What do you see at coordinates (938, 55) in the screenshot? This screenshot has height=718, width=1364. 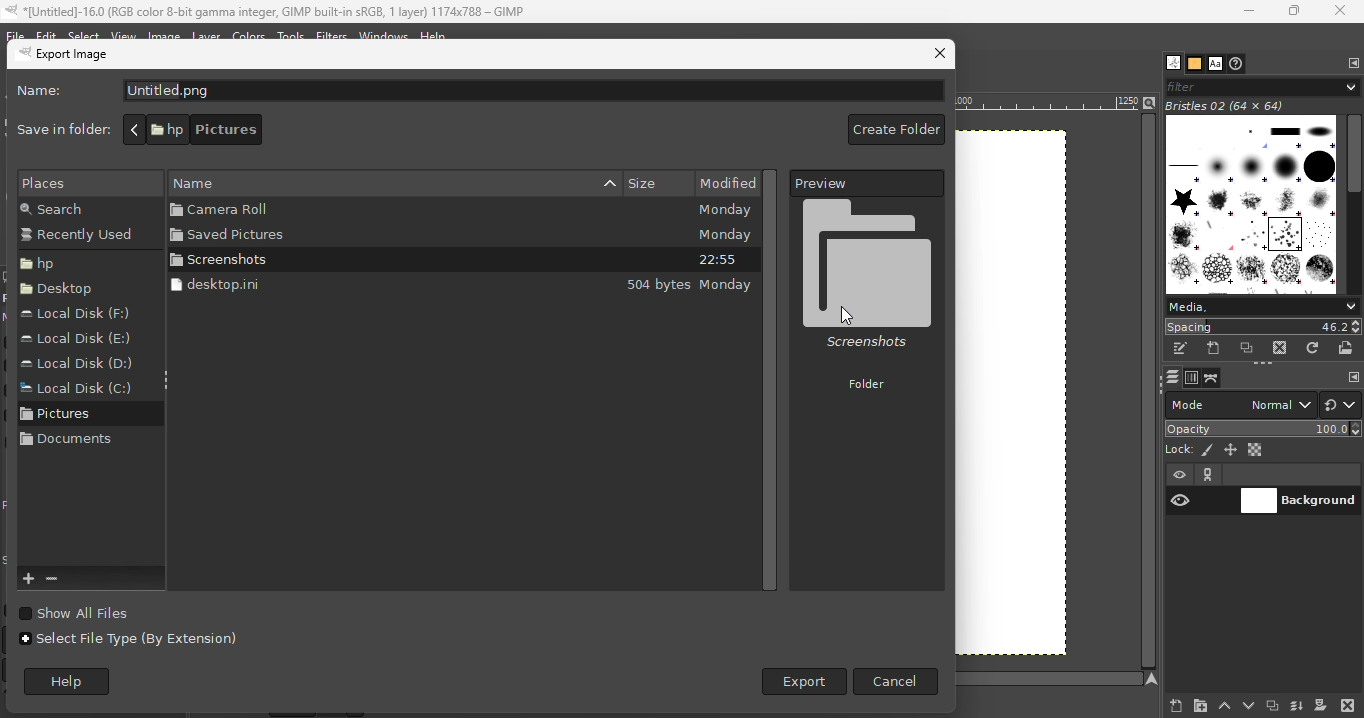 I see `Close` at bounding box center [938, 55].